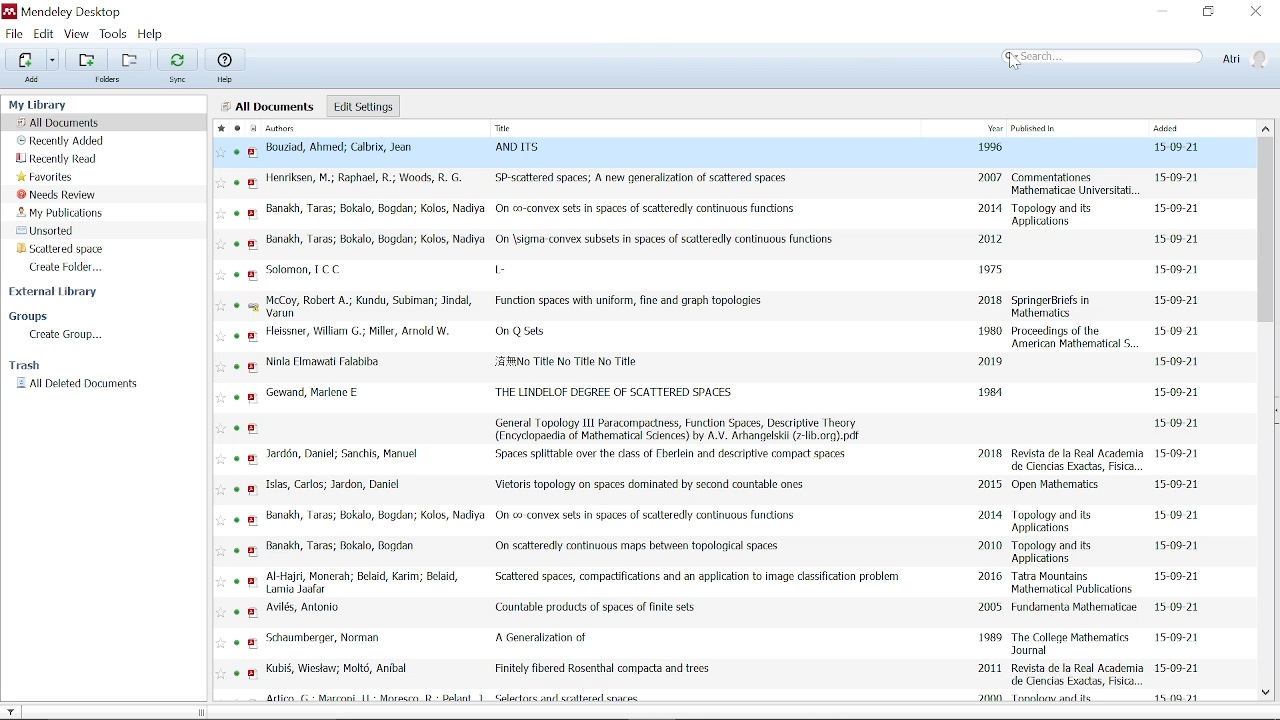 The width and height of the screenshot is (1280, 720). Describe the element at coordinates (71, 159) in the screenshot. I see `Recently read` at that location.